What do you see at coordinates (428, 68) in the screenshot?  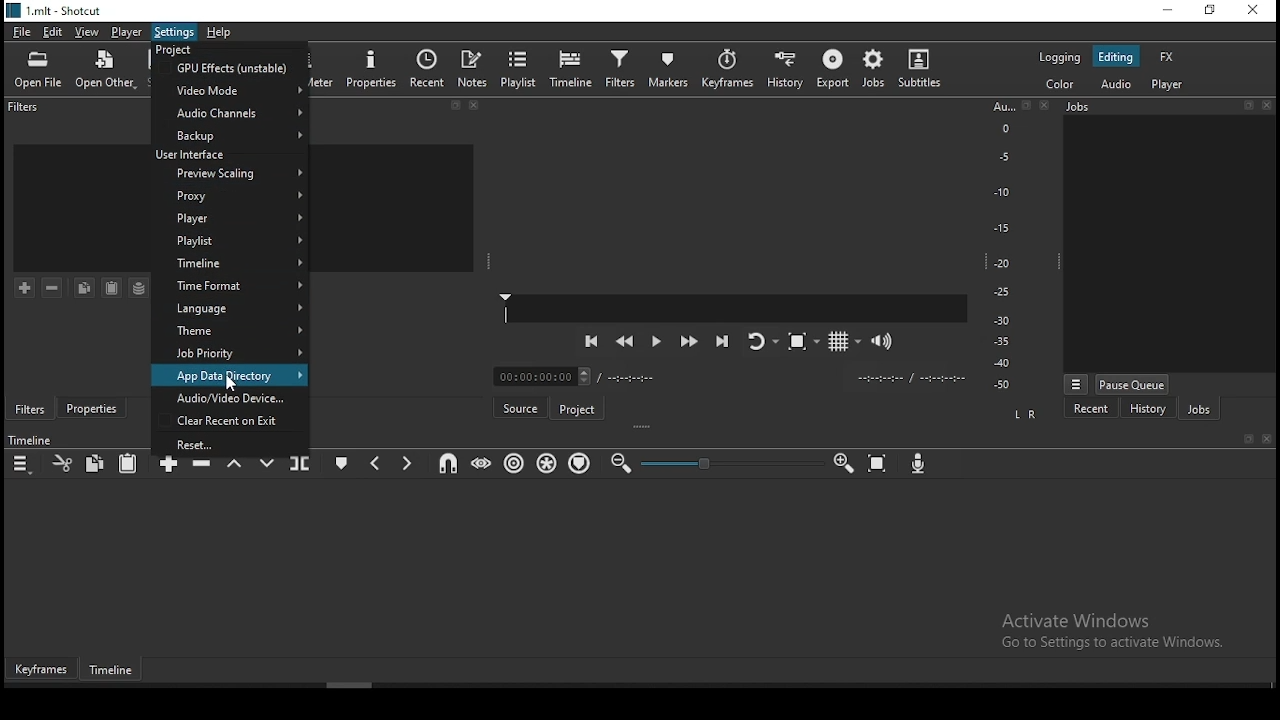 I see `recent` at bounding box center [428, 68].